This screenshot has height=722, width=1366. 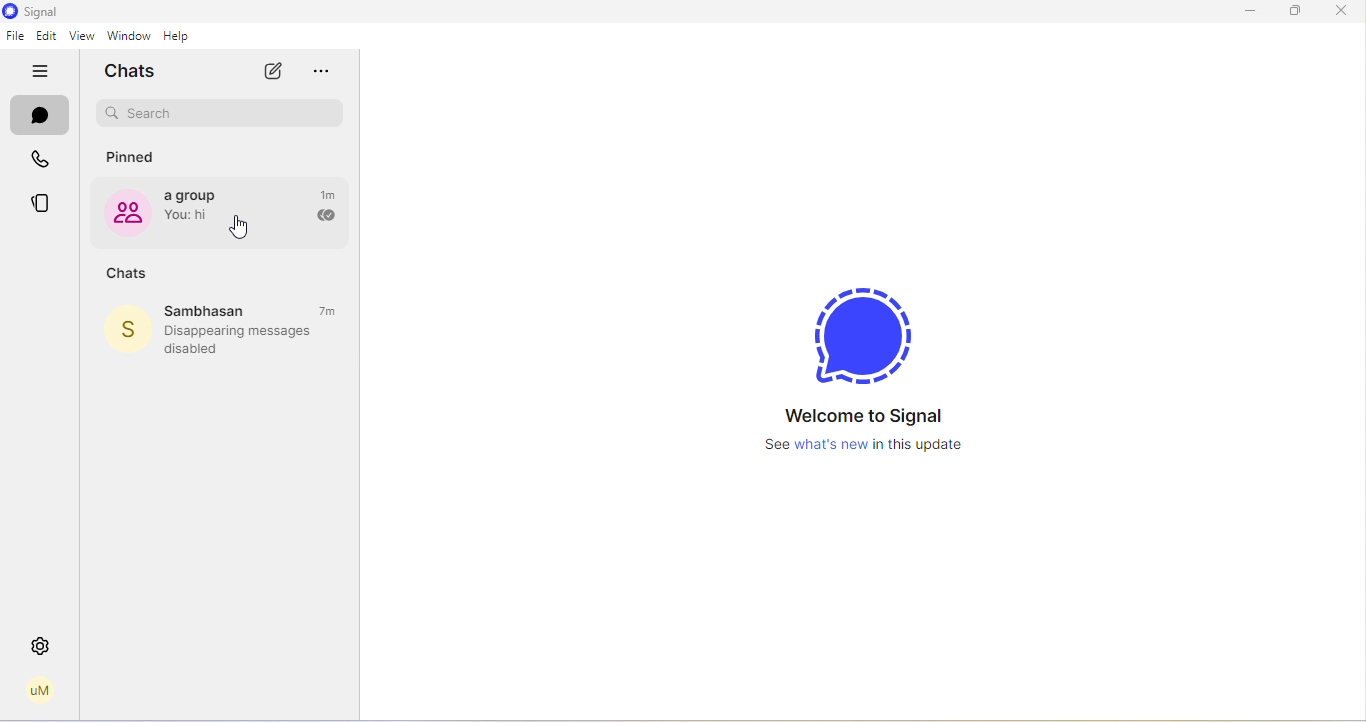 What do you see at coordinates (134, 158) in the screenshot?
I see `pinned` at bounding box center [134, 158].